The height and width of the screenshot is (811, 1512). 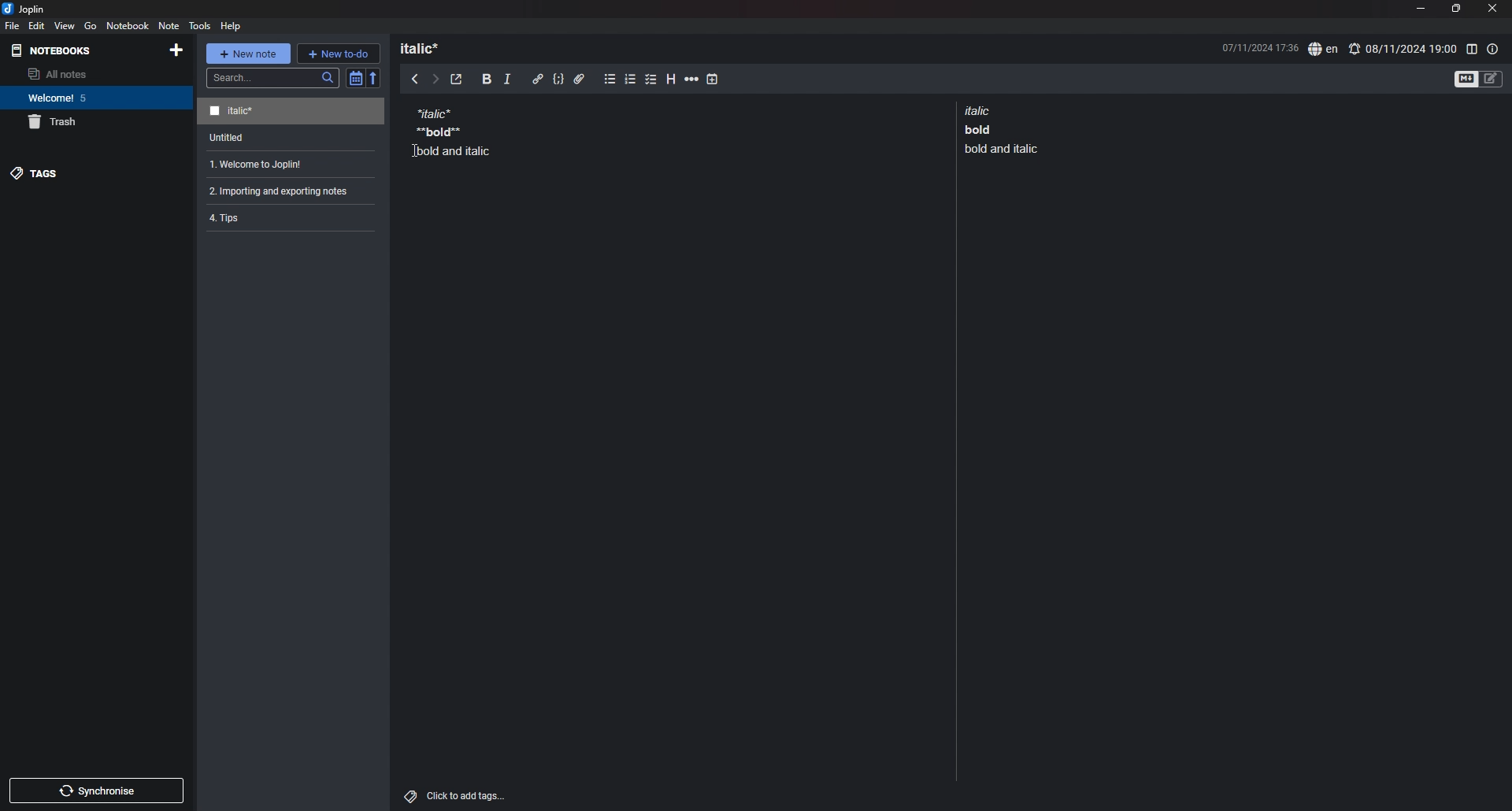 What do you see at coordinates (1479, 78) in the screenshot?
I see `toggle editors` at bounding box center [1479, 78].